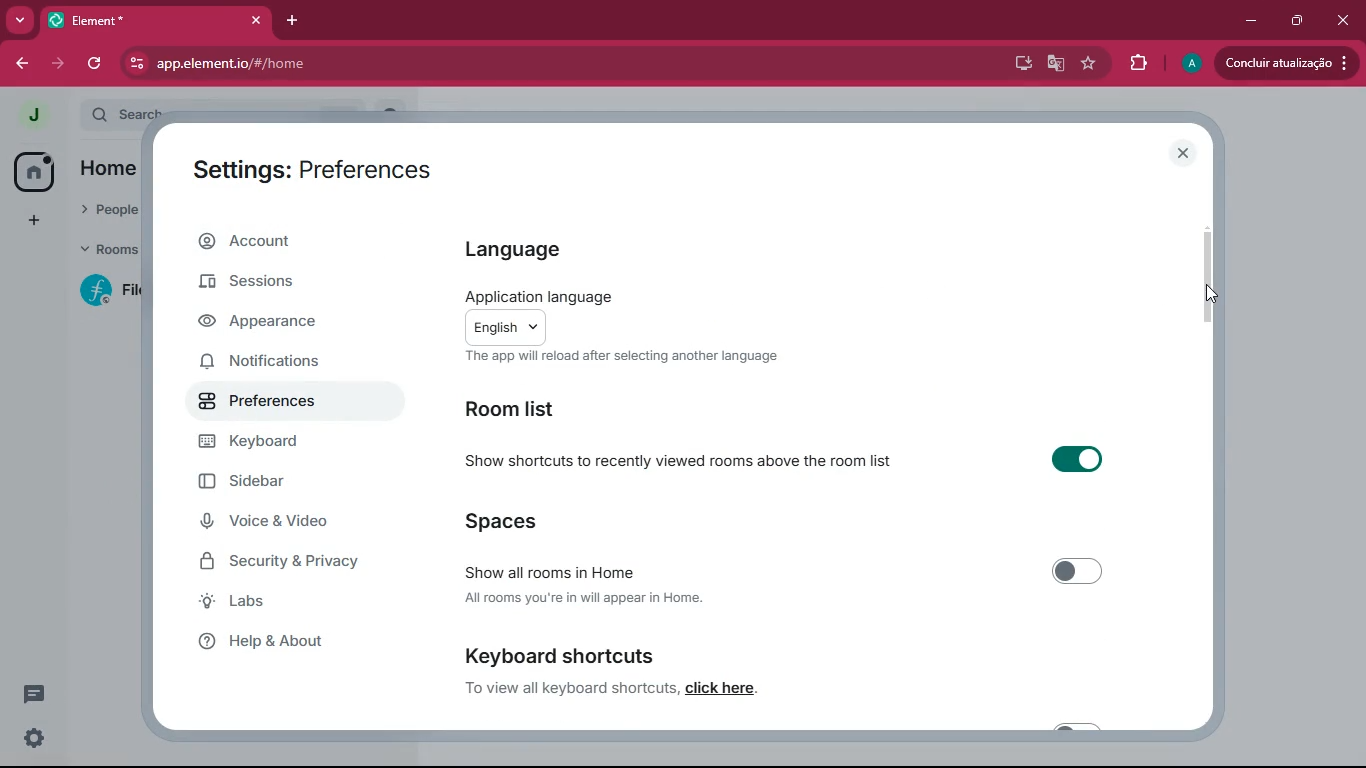 This screenshot has width=1366, height=768. What do you see at coordinates (1284, 62) in the screenshot?
I see `update` at bounding box center [1284, 62].